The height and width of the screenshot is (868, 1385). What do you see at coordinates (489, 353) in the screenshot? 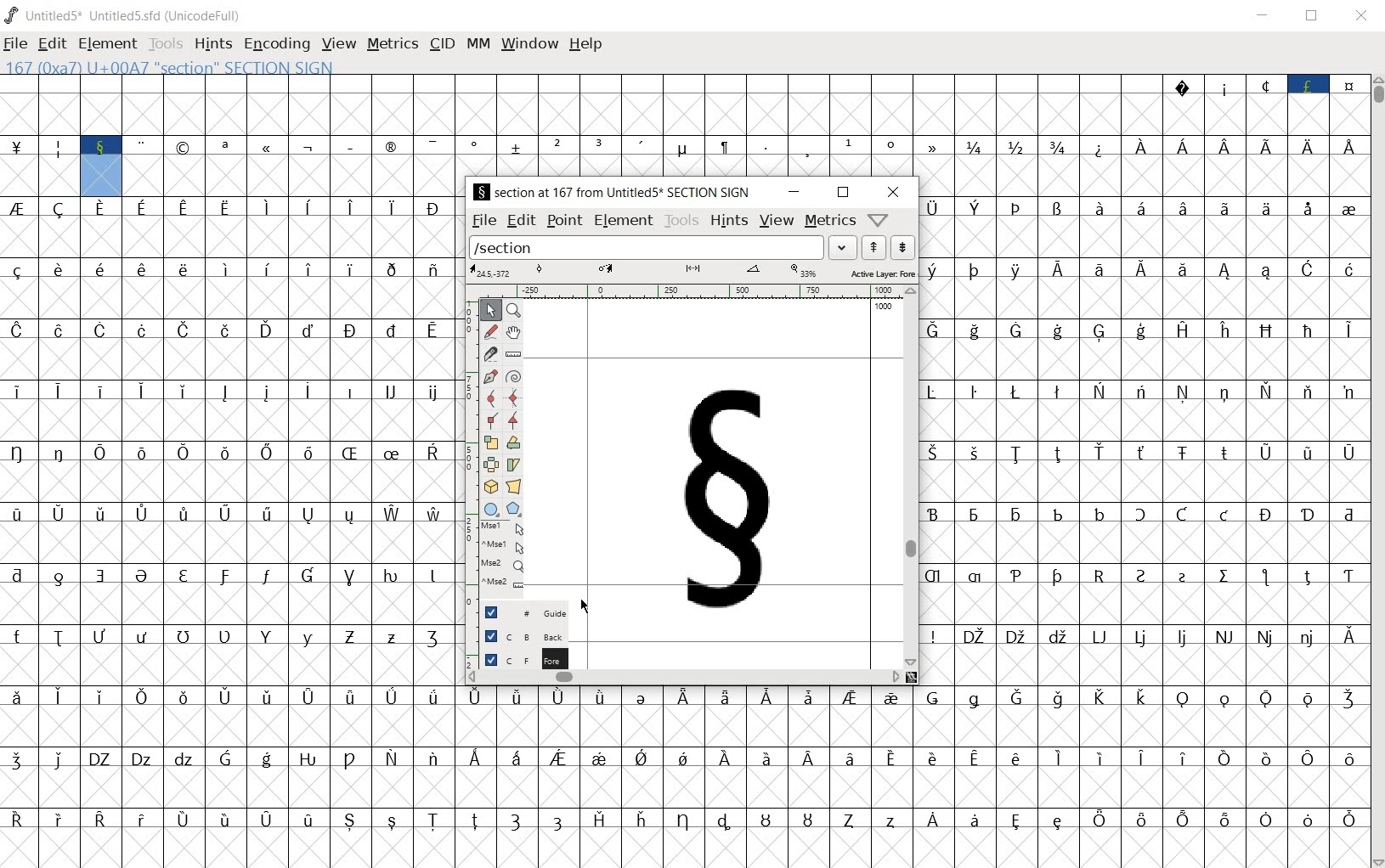
I see `cut splines in two` at bounding box center [489, 353].